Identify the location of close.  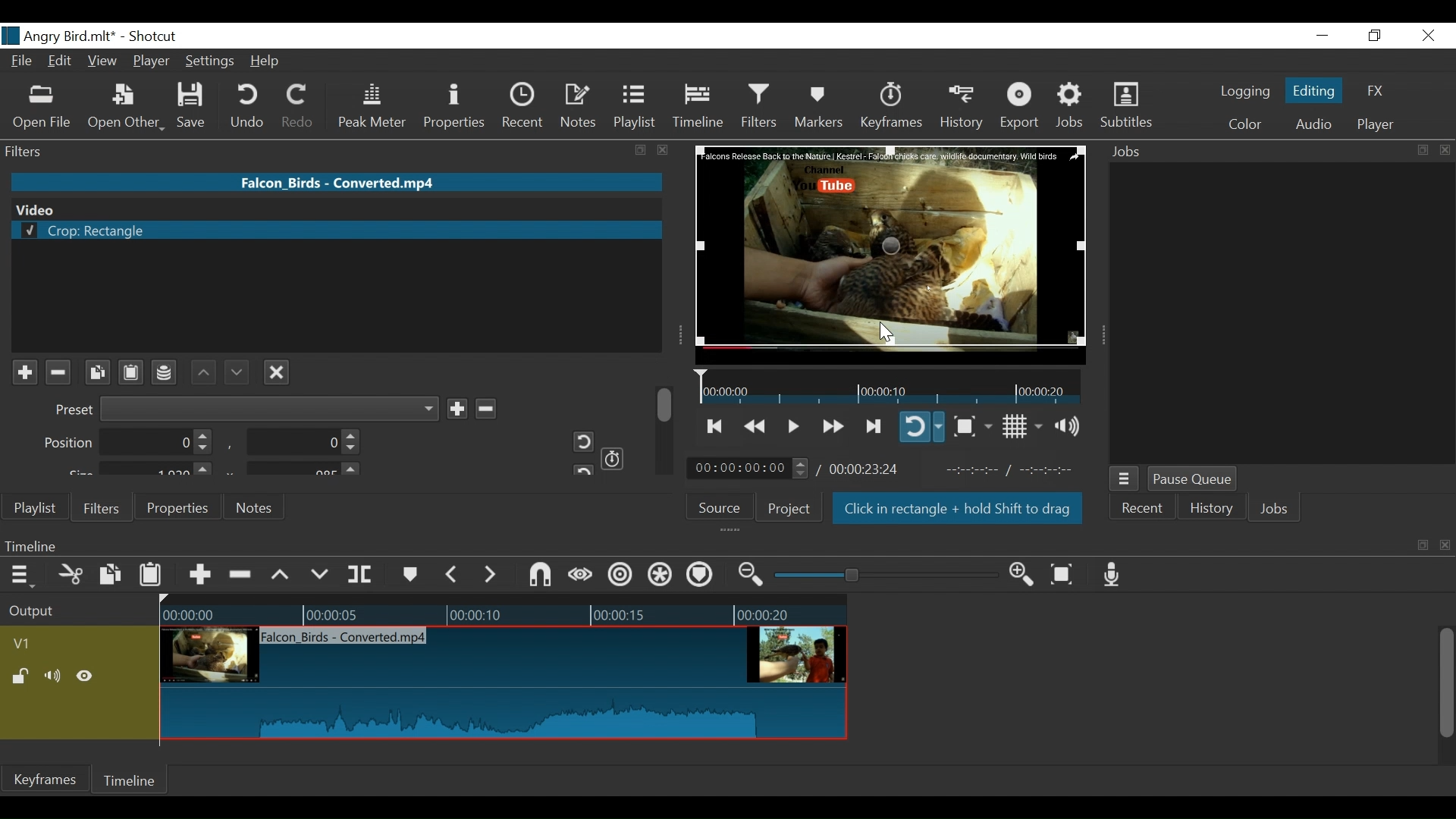
(1445, 150).